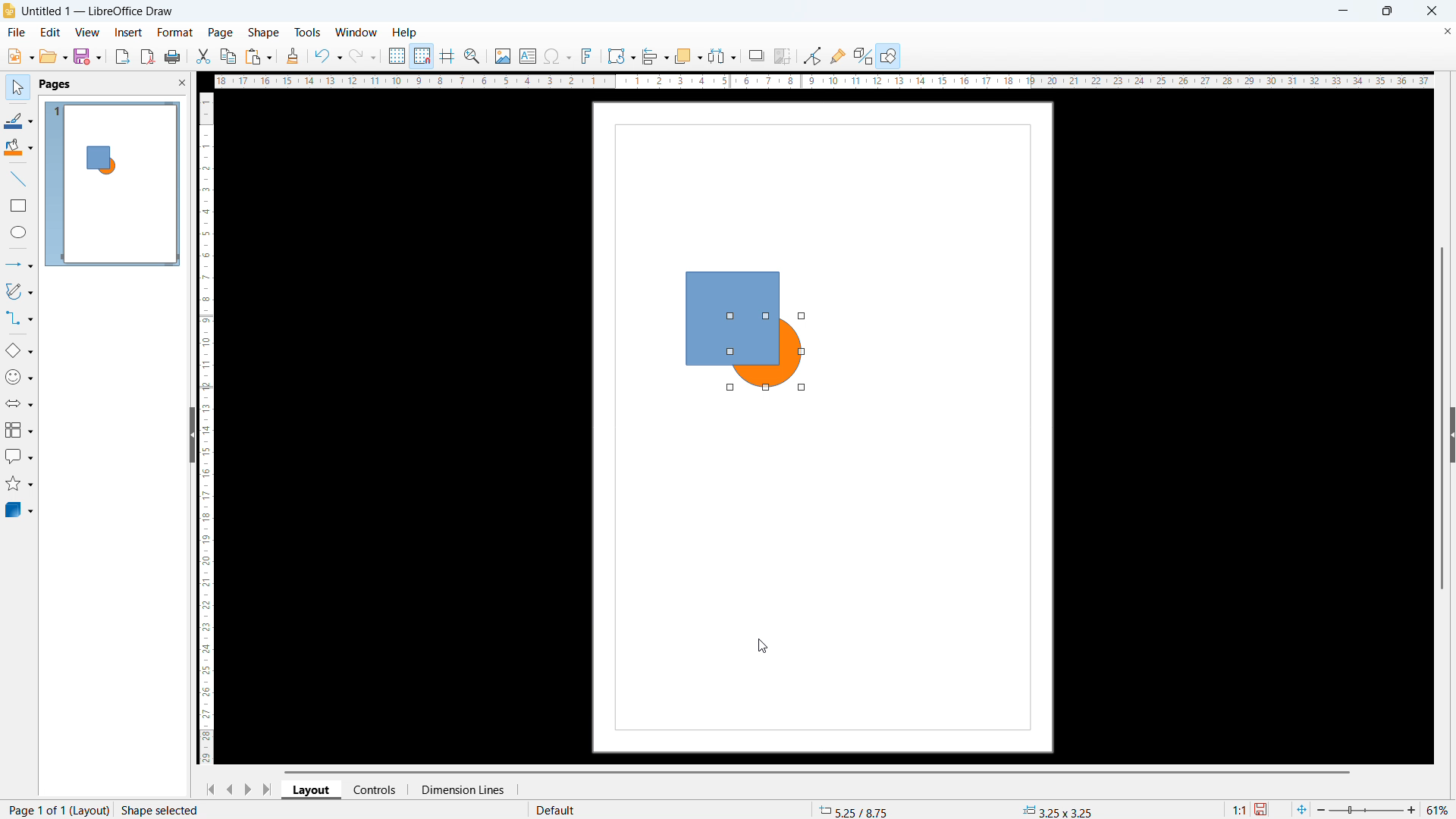 The height and width of the screenshot is (819, 1456). Describe the element at coordinates (266, 789) in the screenshot. I see `Go to last page ` at that location.